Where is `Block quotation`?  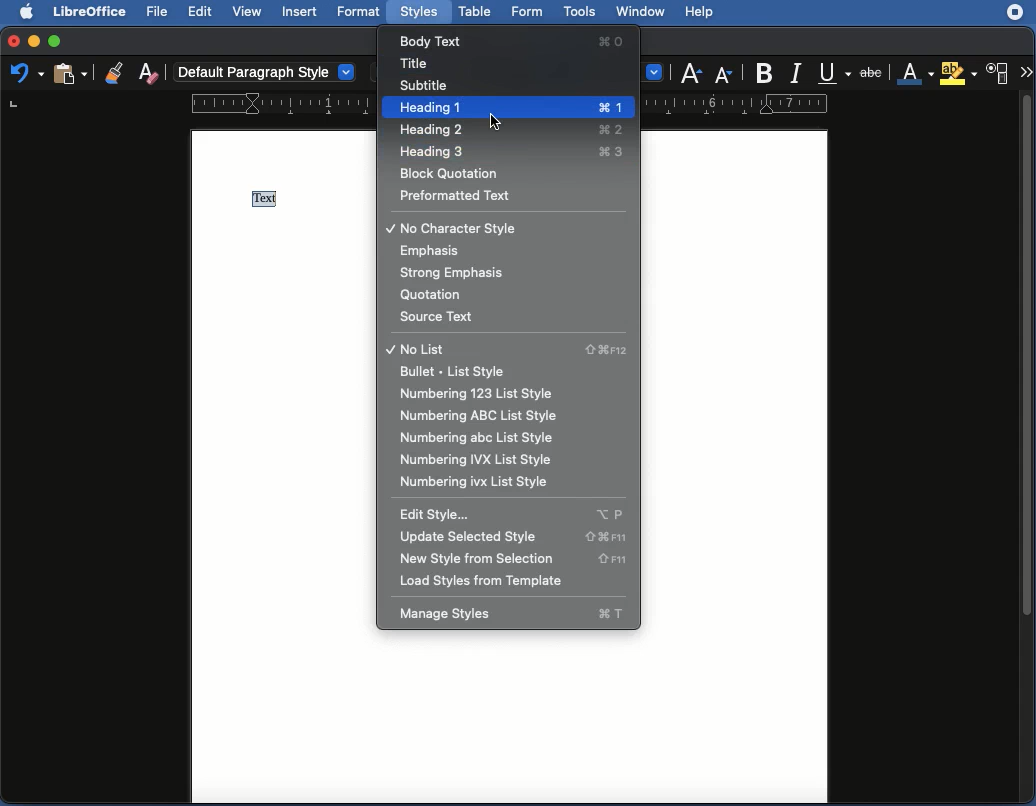
Block quotation is located at coordinates (465, 175).